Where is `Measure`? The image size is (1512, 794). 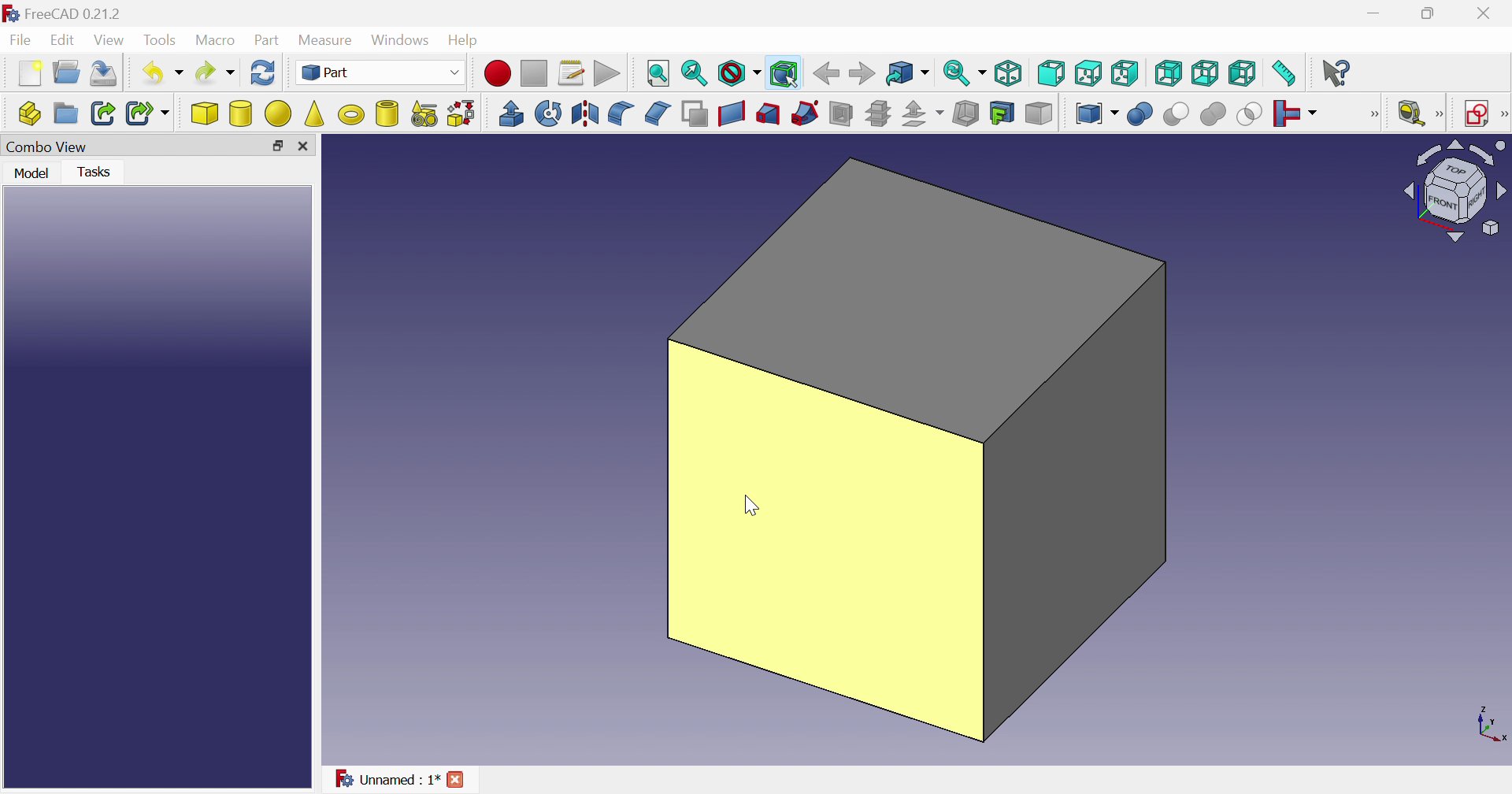 Measure is located at coordinates (328, 39).